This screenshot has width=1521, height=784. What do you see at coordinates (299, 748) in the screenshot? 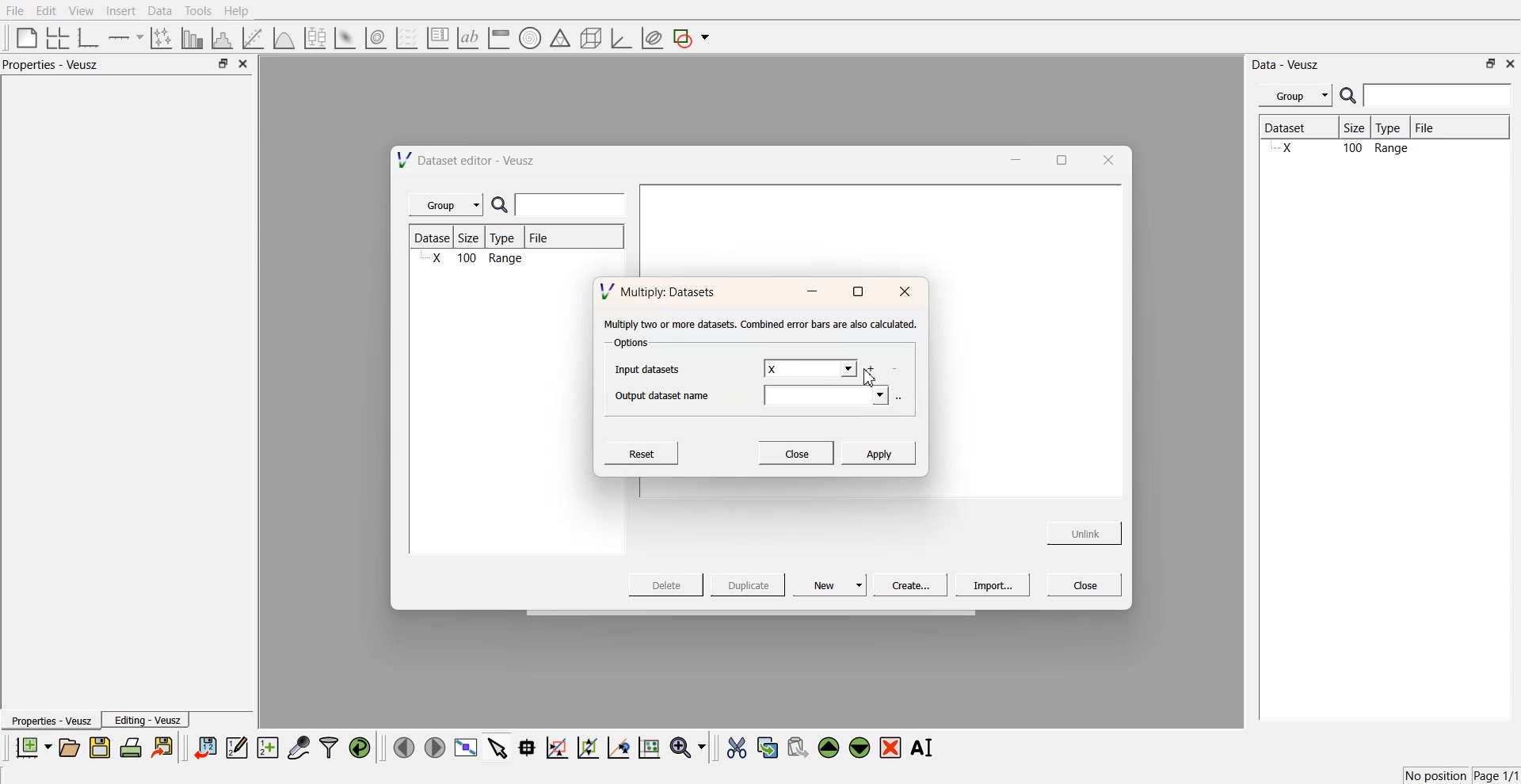
I see `capture data points` at bounding box center [299, 748].